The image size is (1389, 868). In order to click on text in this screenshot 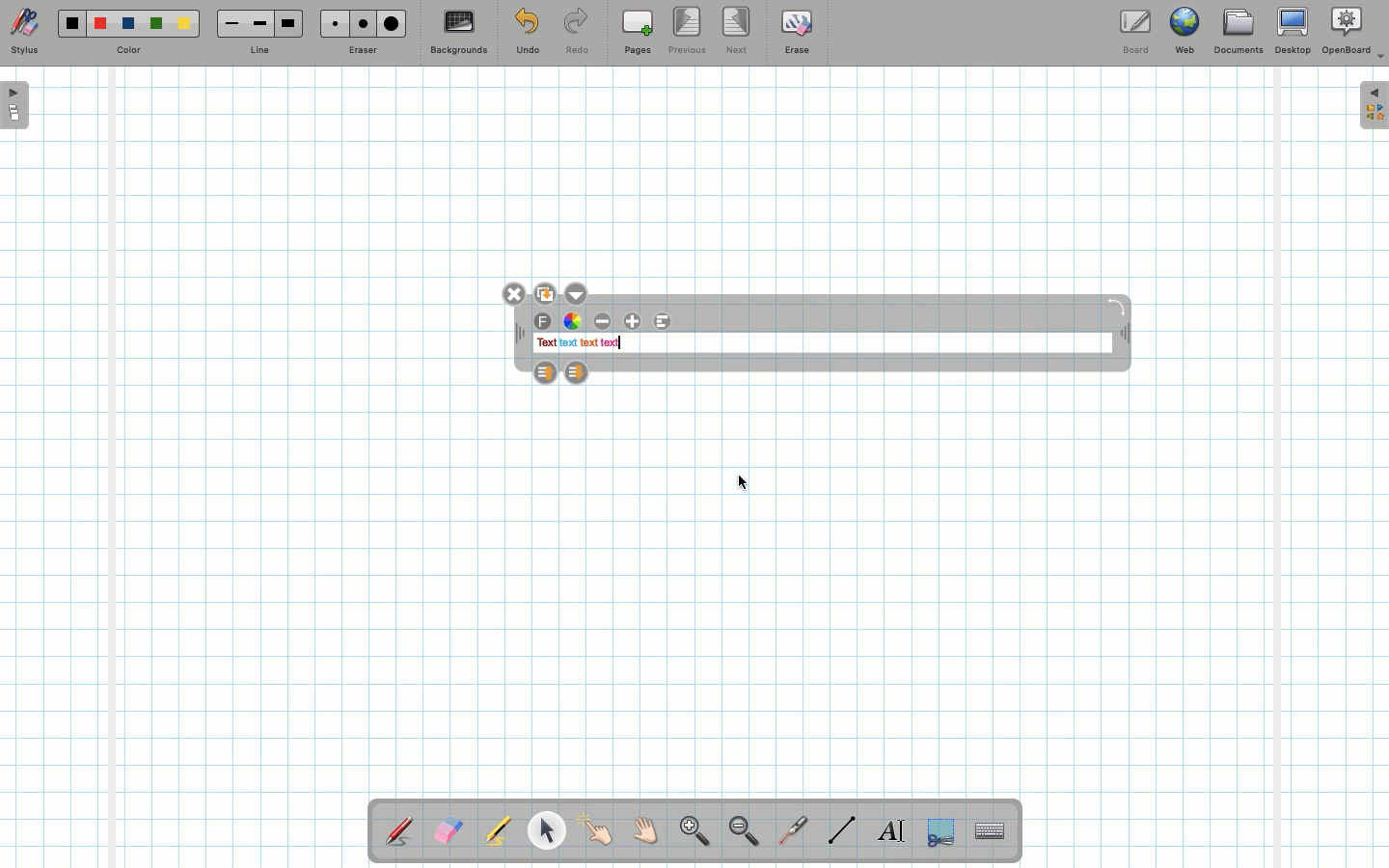, I will do `click(611, 343)`.